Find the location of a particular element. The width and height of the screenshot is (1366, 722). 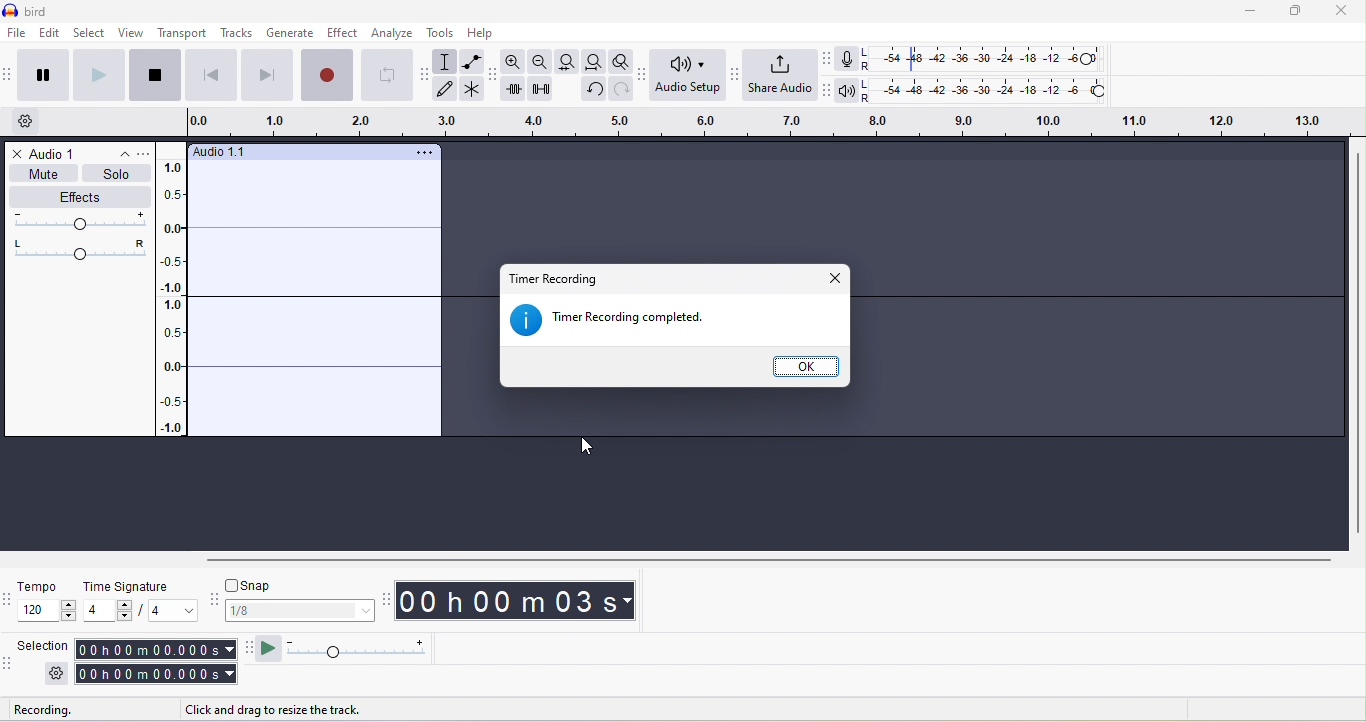

drop down is located at coordinates (126, 156).